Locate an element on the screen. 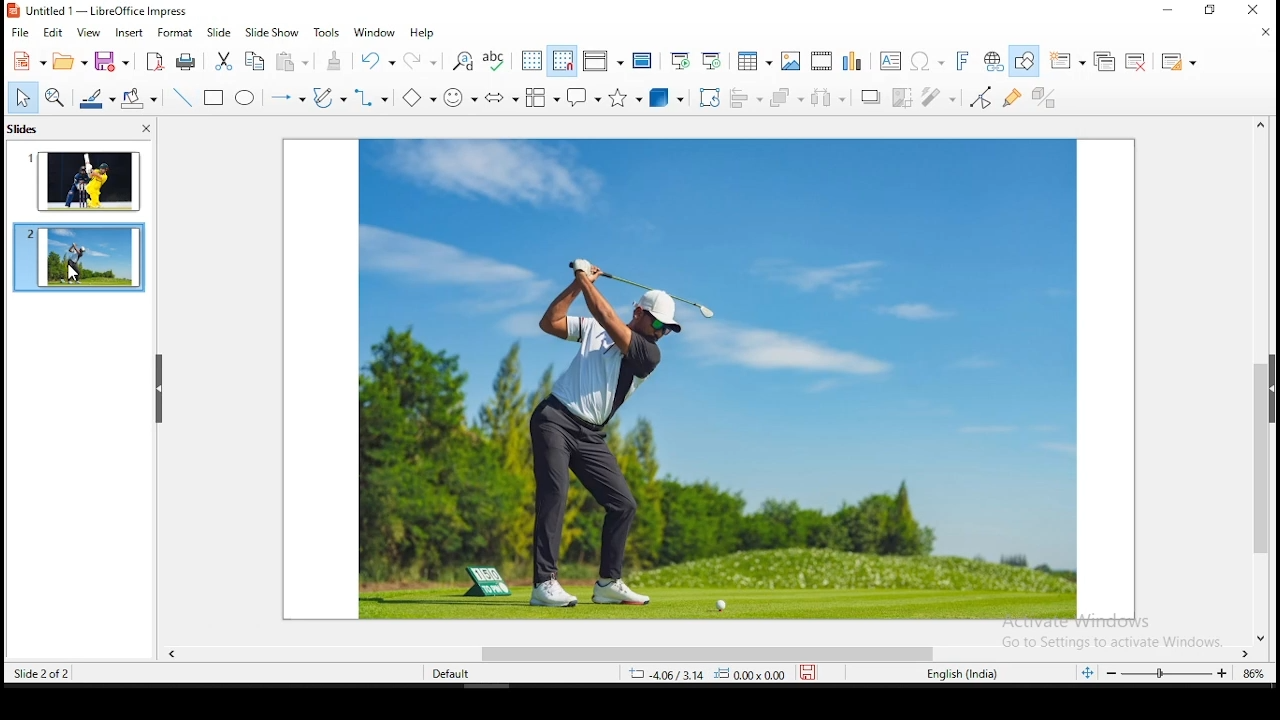 This screenshot has height=720, width=1280. display grid is located at coordinates (530, 59).